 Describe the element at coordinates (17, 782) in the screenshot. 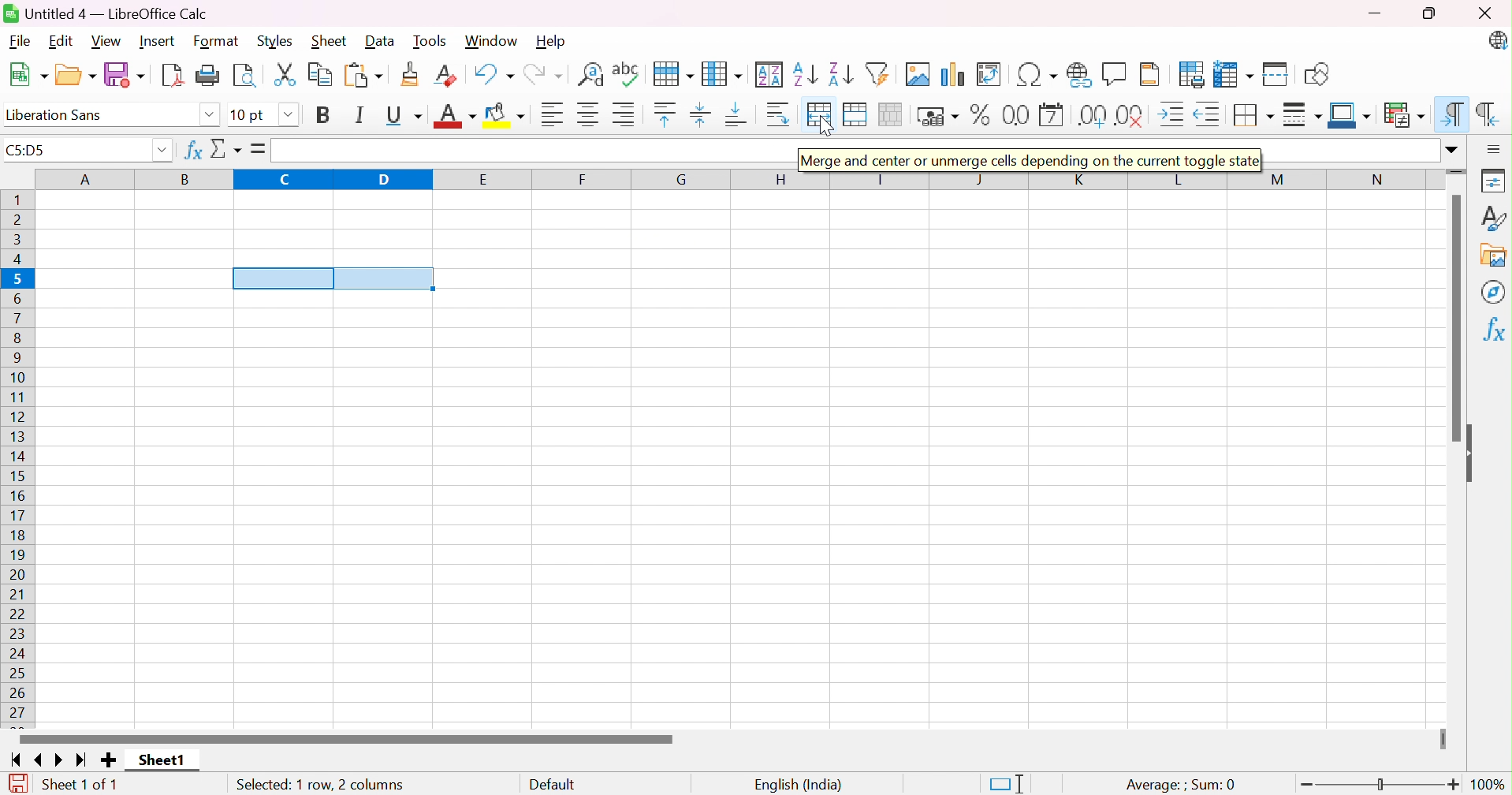

I see `The document has been modified. Click to save the document.` at that location.